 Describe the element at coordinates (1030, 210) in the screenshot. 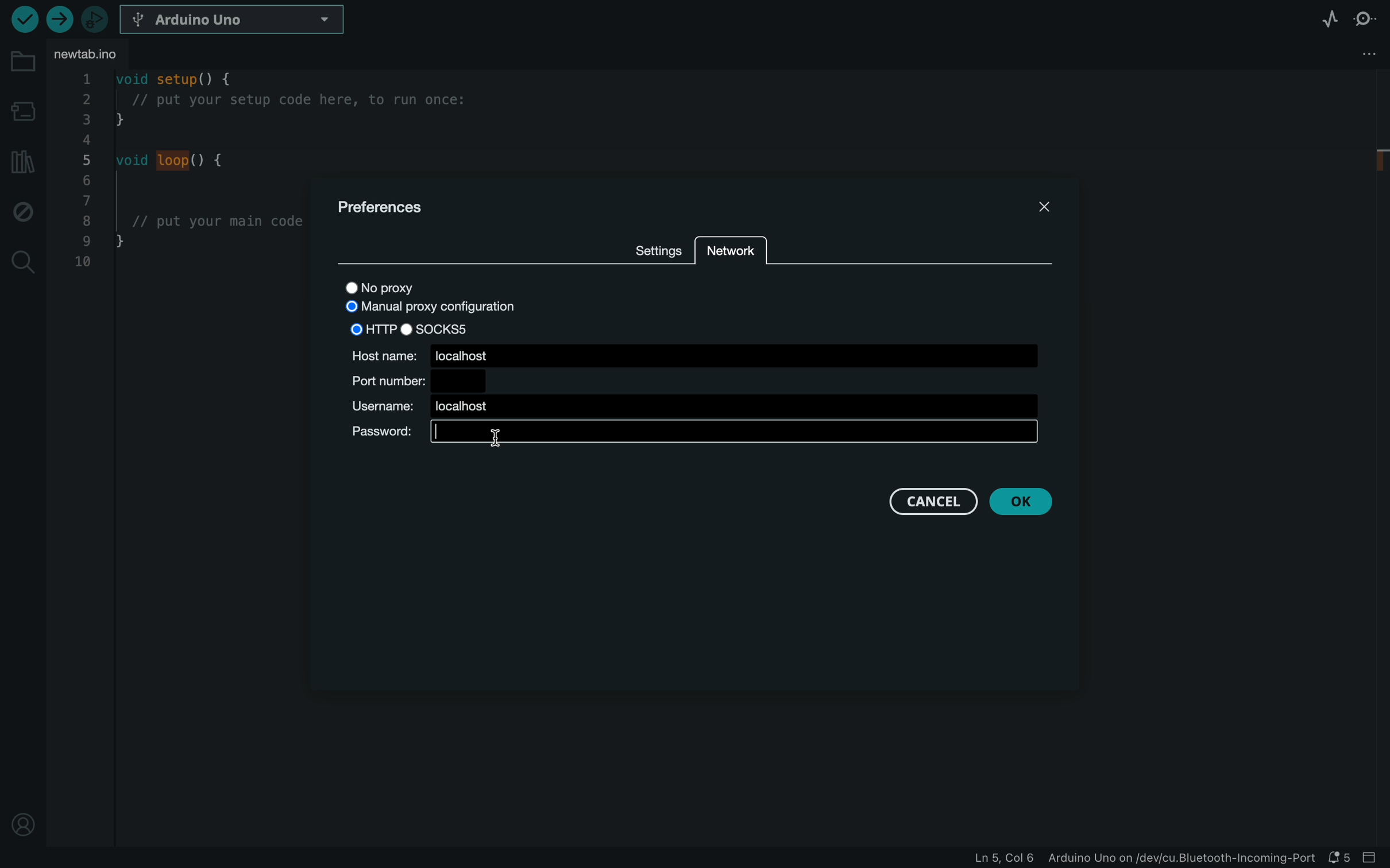

I see `close` at that location.